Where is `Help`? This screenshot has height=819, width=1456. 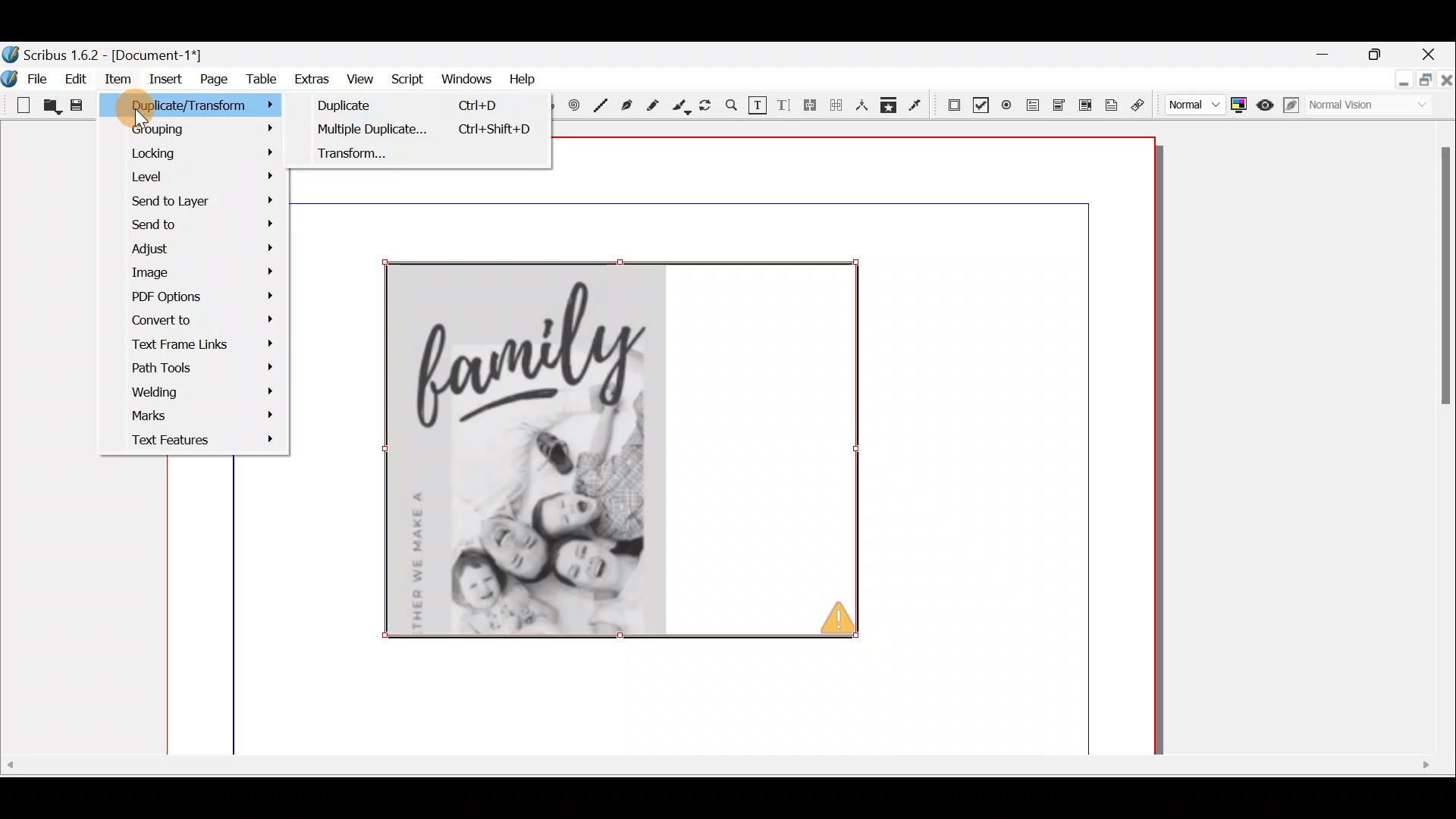
Help is located at coordinates (519, 79).